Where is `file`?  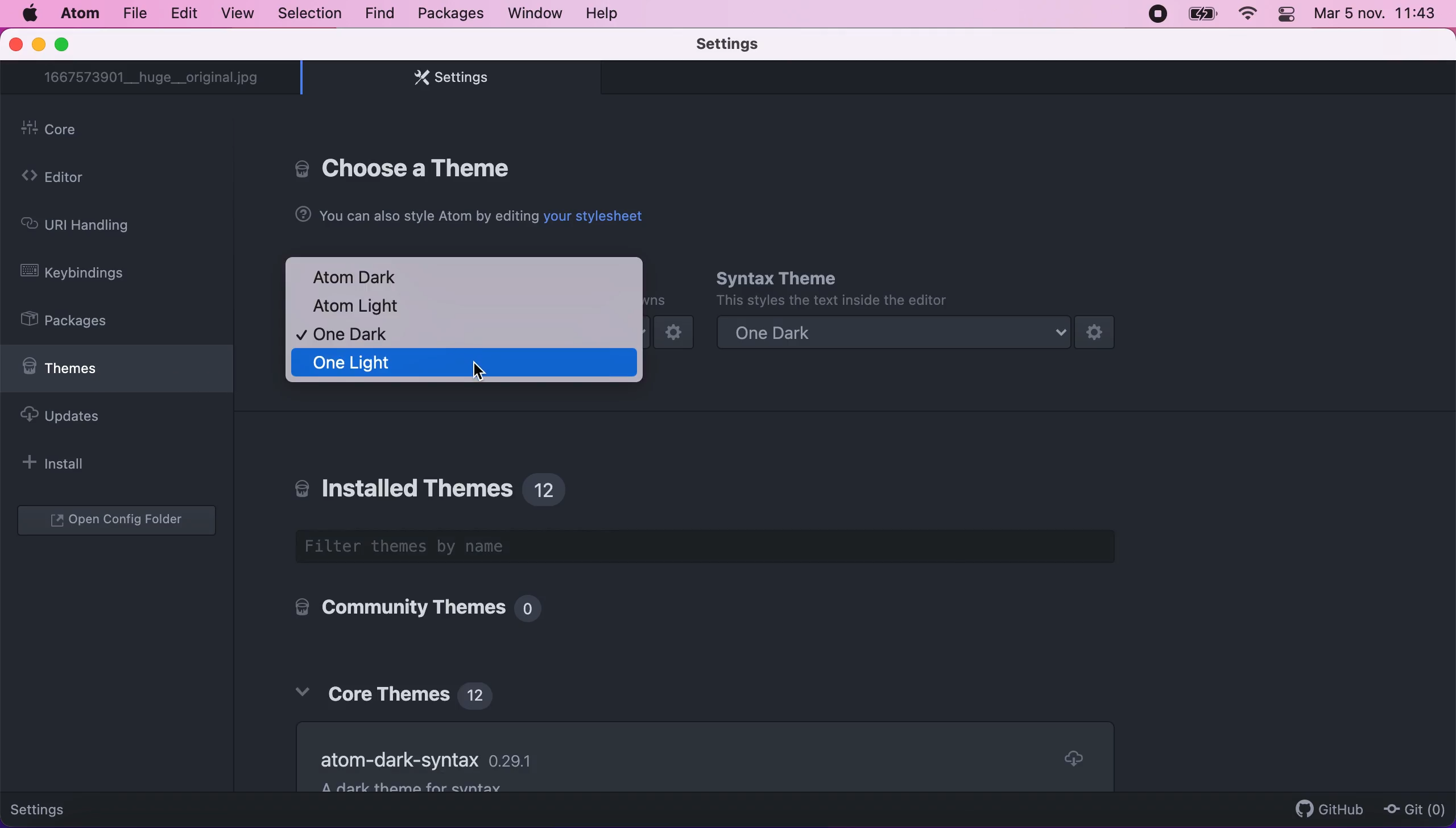 file is located at coordinates (134, 15).